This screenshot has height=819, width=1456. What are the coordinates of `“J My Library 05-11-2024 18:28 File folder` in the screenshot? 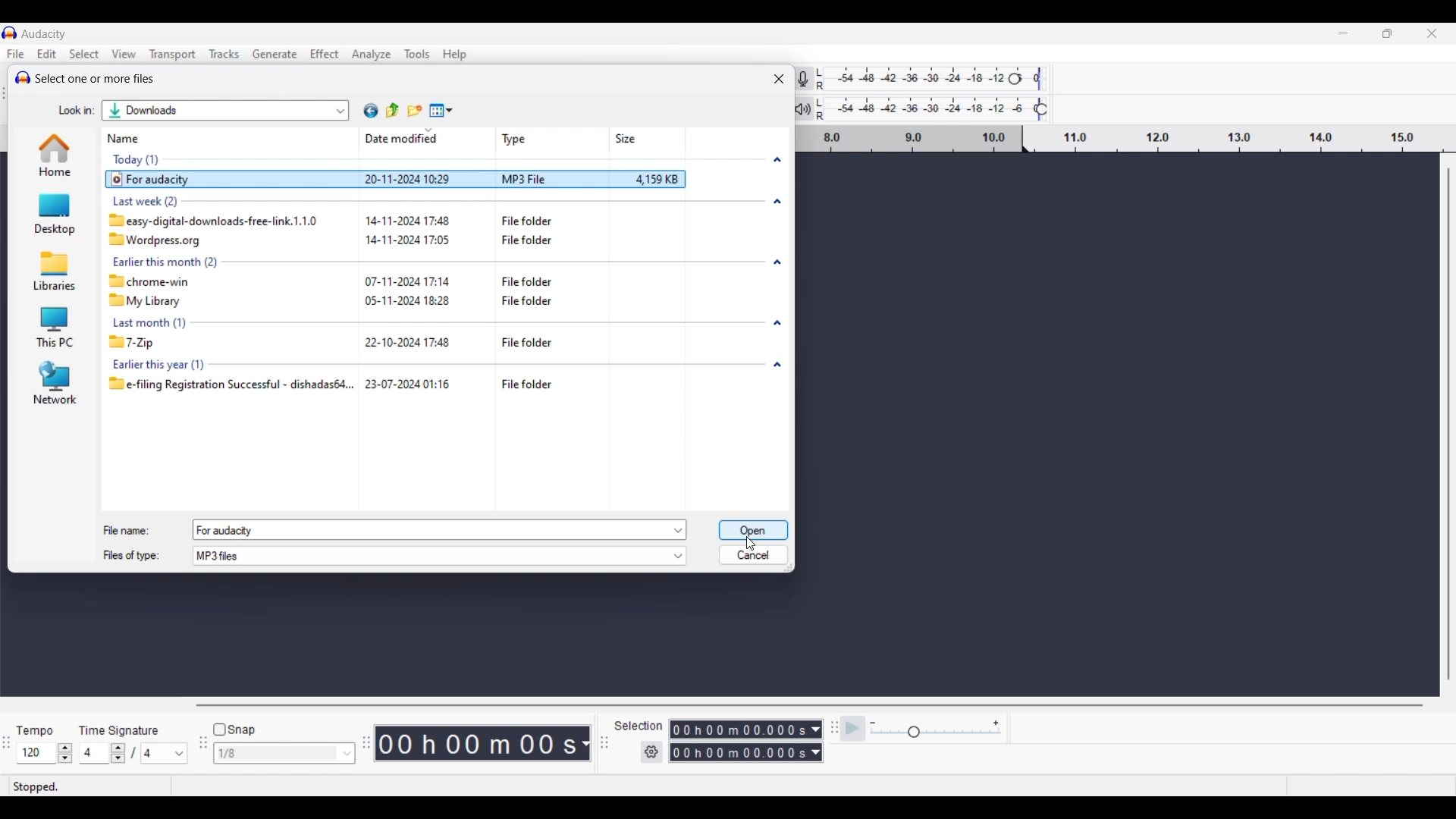 It's located at (359, 301).